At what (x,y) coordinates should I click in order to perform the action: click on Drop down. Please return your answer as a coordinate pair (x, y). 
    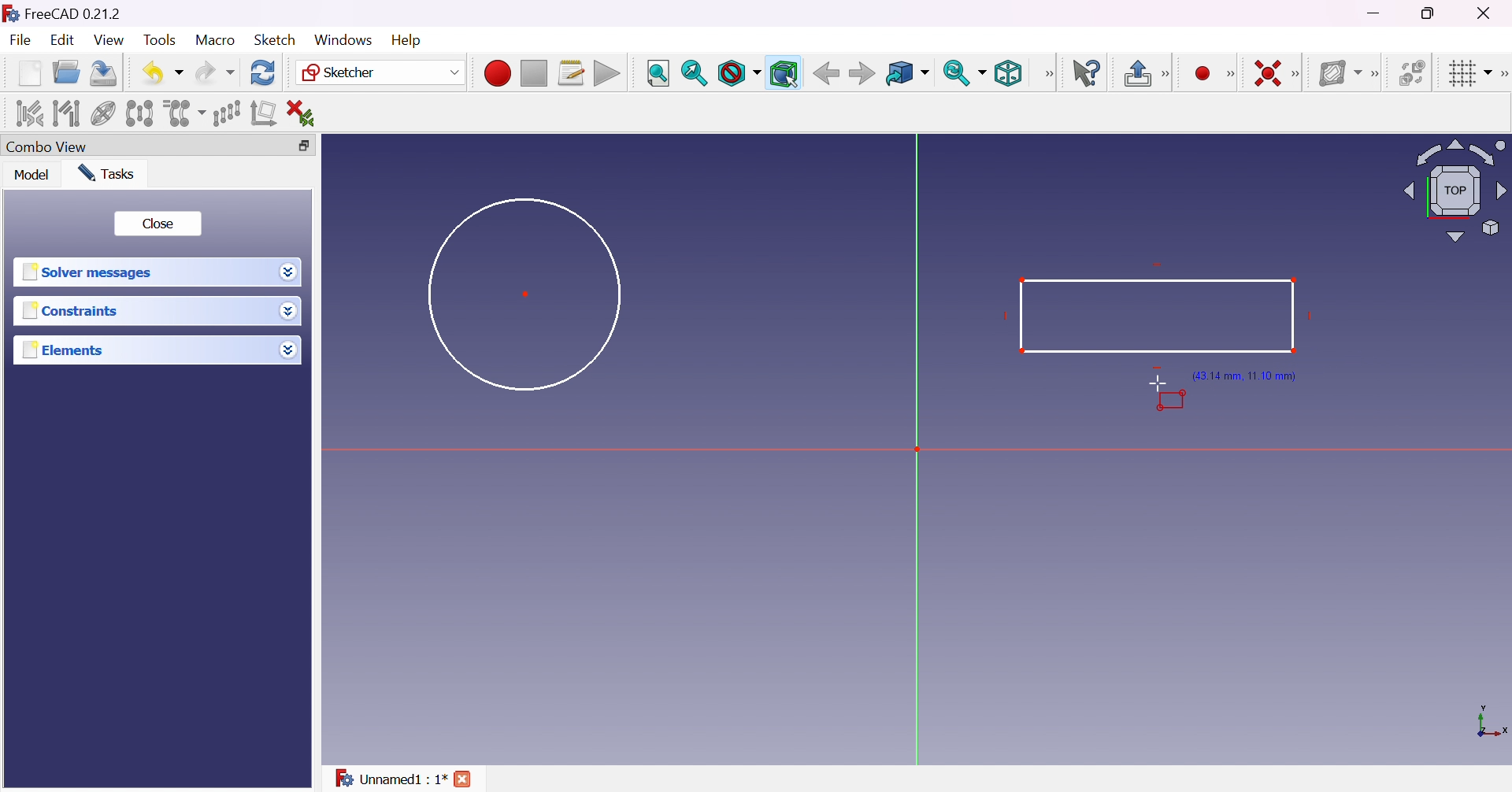
    Looking at the image, I should click on (288, 350).